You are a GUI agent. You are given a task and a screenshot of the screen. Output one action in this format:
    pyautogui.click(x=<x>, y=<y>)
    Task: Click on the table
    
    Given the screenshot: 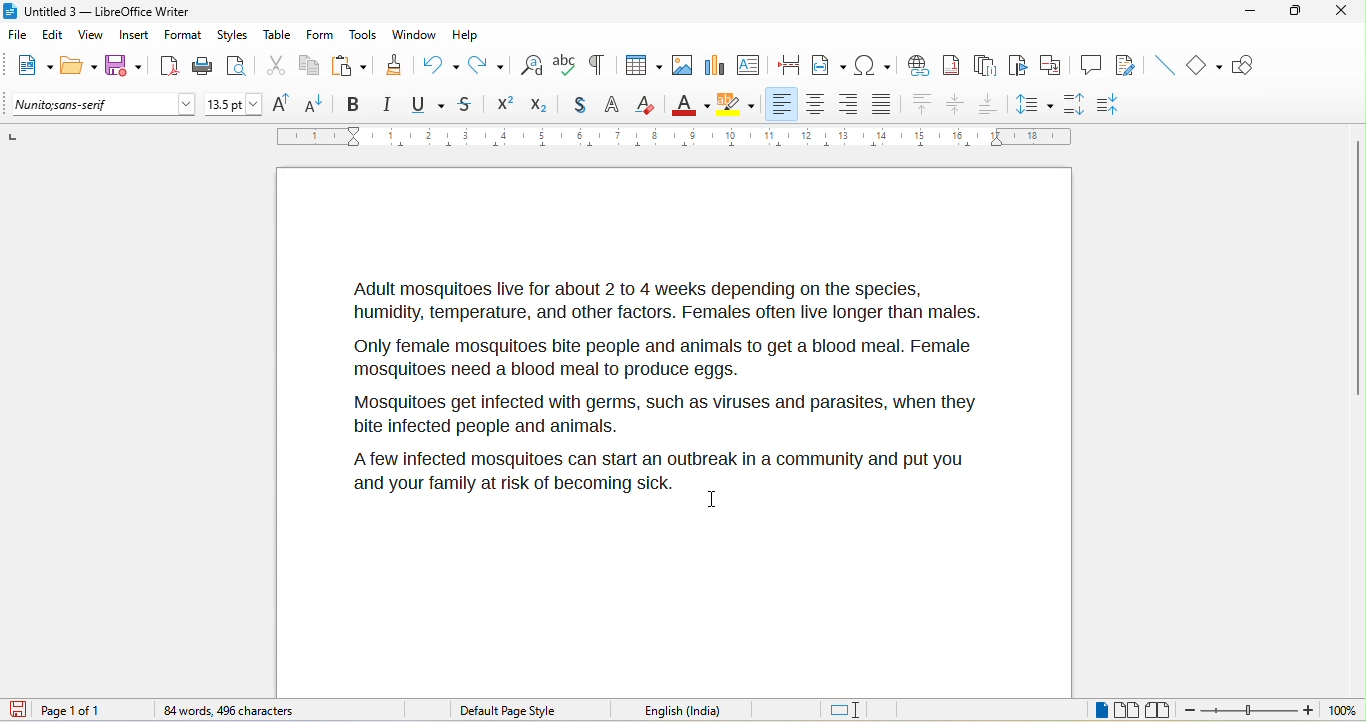 What is the action you would take?
    pyautogui.click(x=278, y=34)
    